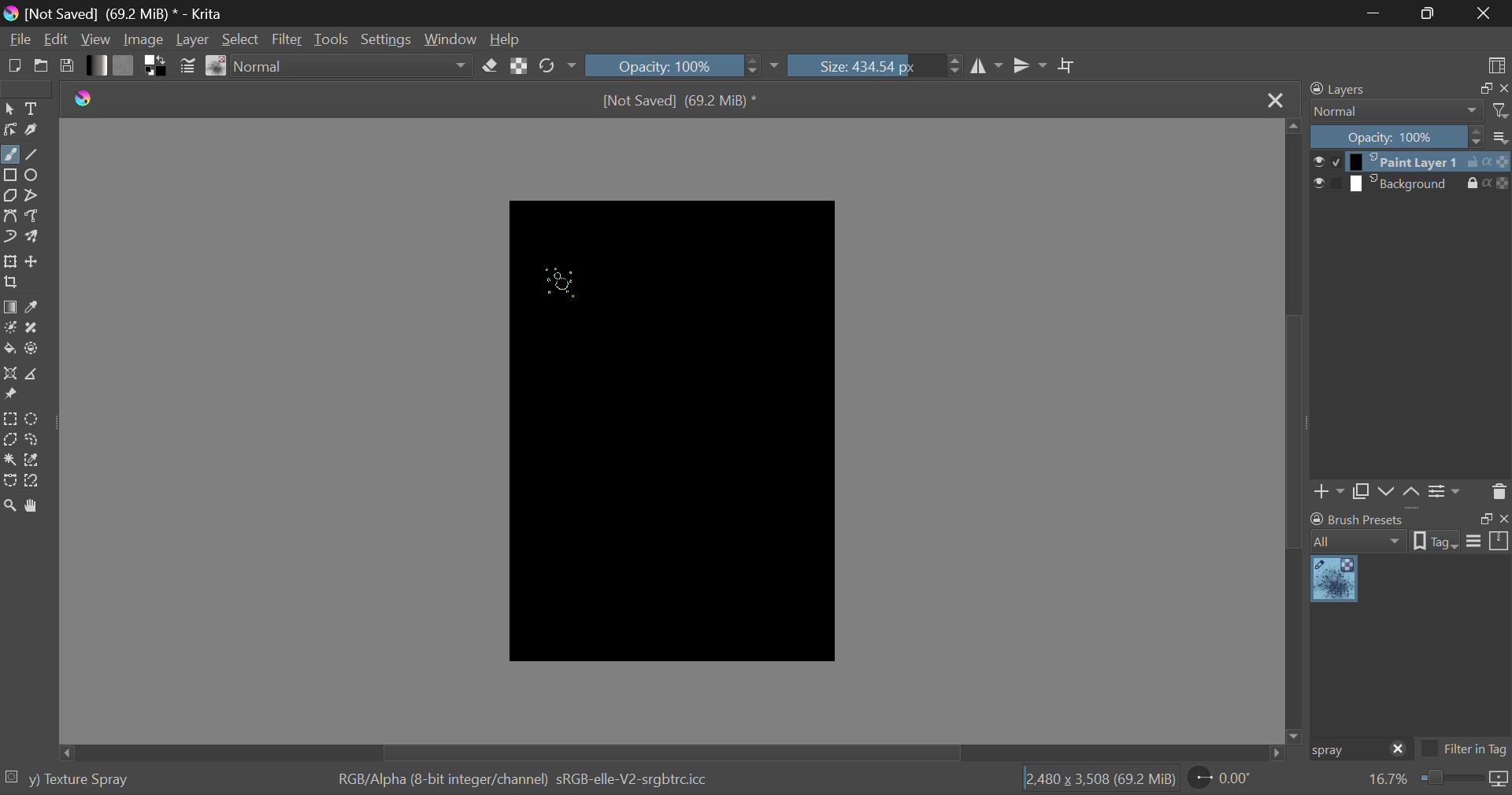 This screenshot has width=1512, height=795. I want to click on Minimize, so click(1431, 12).